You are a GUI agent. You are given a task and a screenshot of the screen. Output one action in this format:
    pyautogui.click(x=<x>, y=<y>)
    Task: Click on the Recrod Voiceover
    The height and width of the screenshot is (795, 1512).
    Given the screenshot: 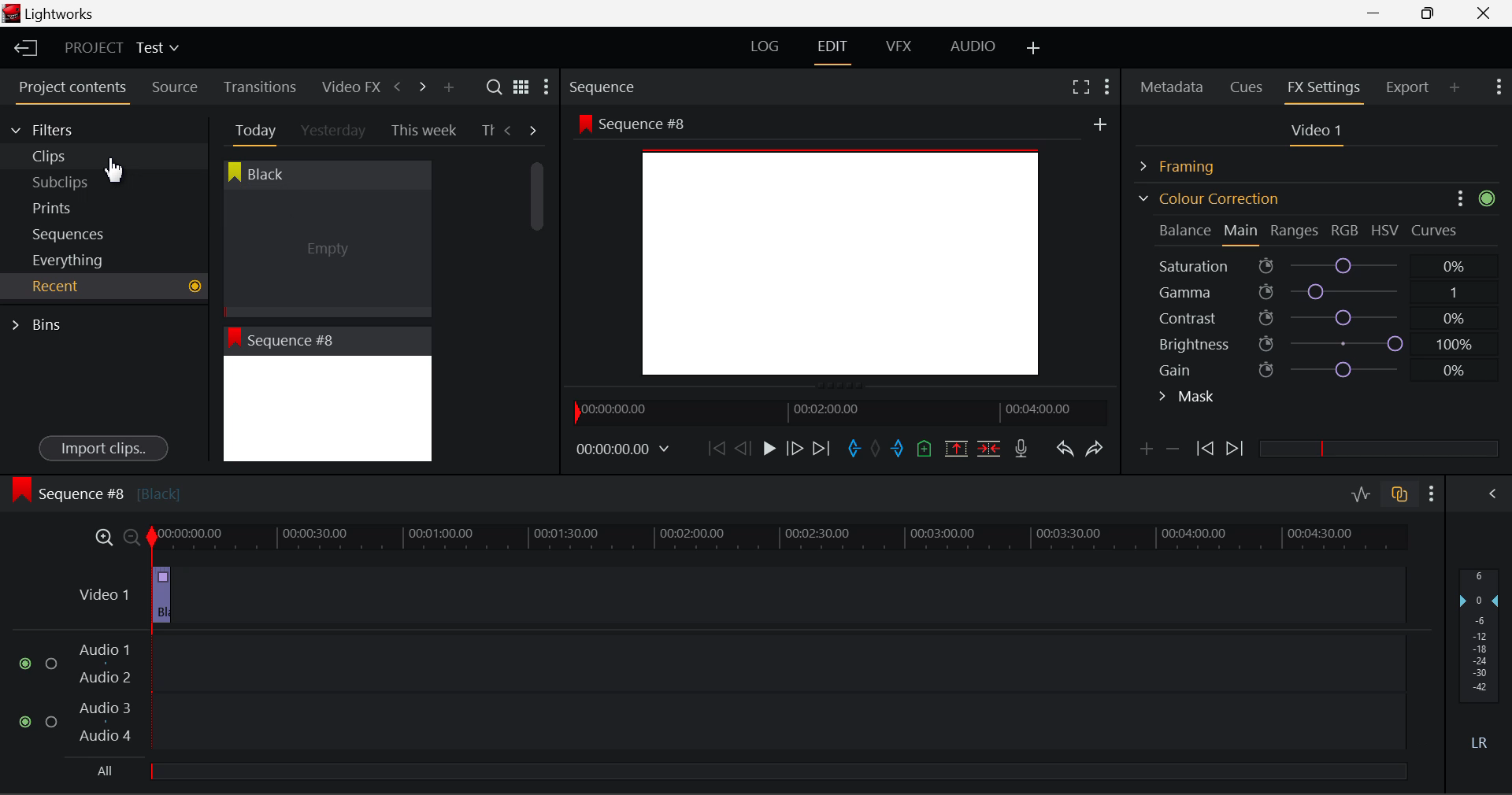 What is the action you would take?
    pyautogui.click(x=1021, y=448)
    